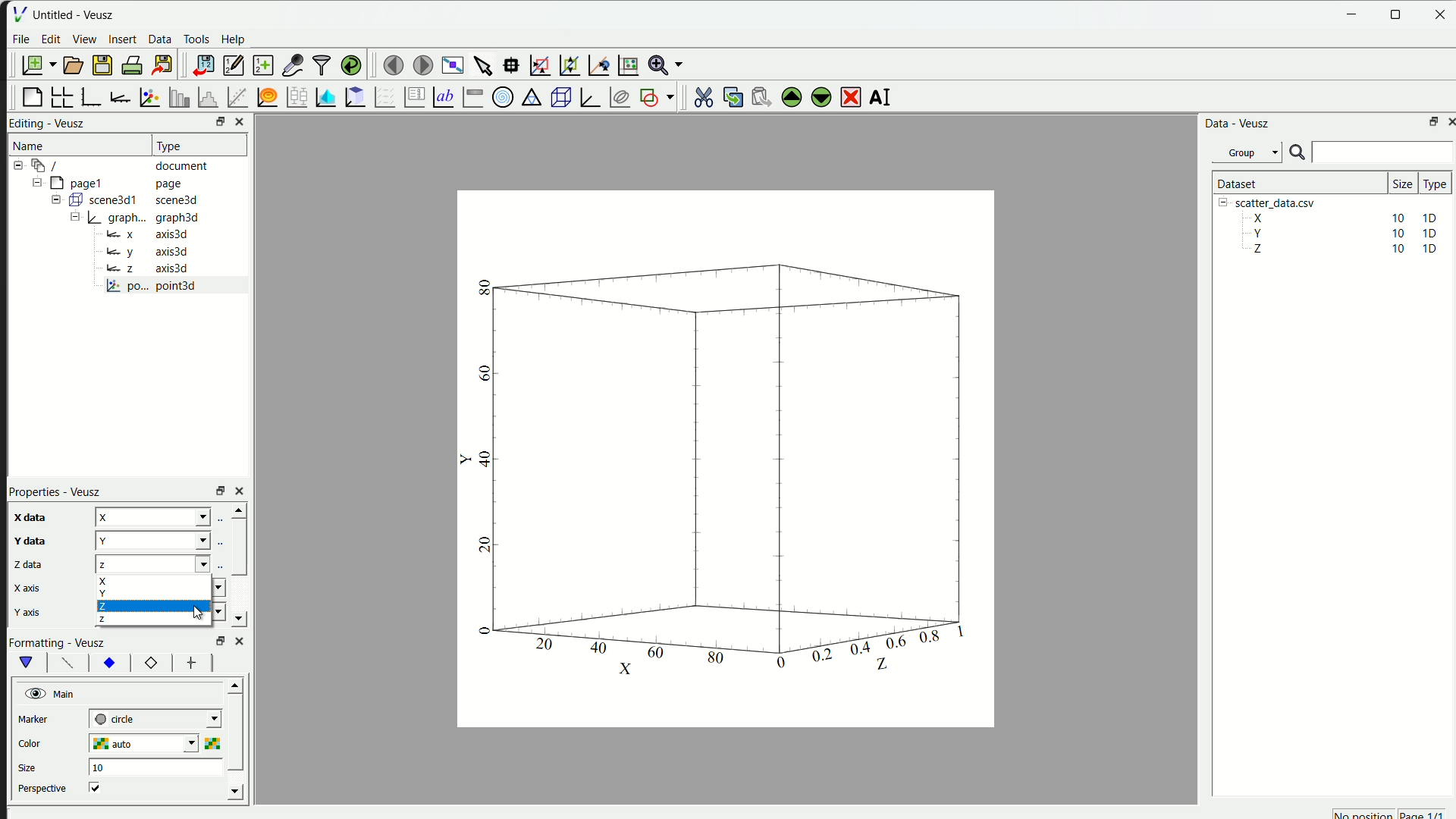 This screenshot has height=819, width=1456. Describe the element at coordinates (595, 62) in the screenshot. I see `recenter graph axes` at that location.